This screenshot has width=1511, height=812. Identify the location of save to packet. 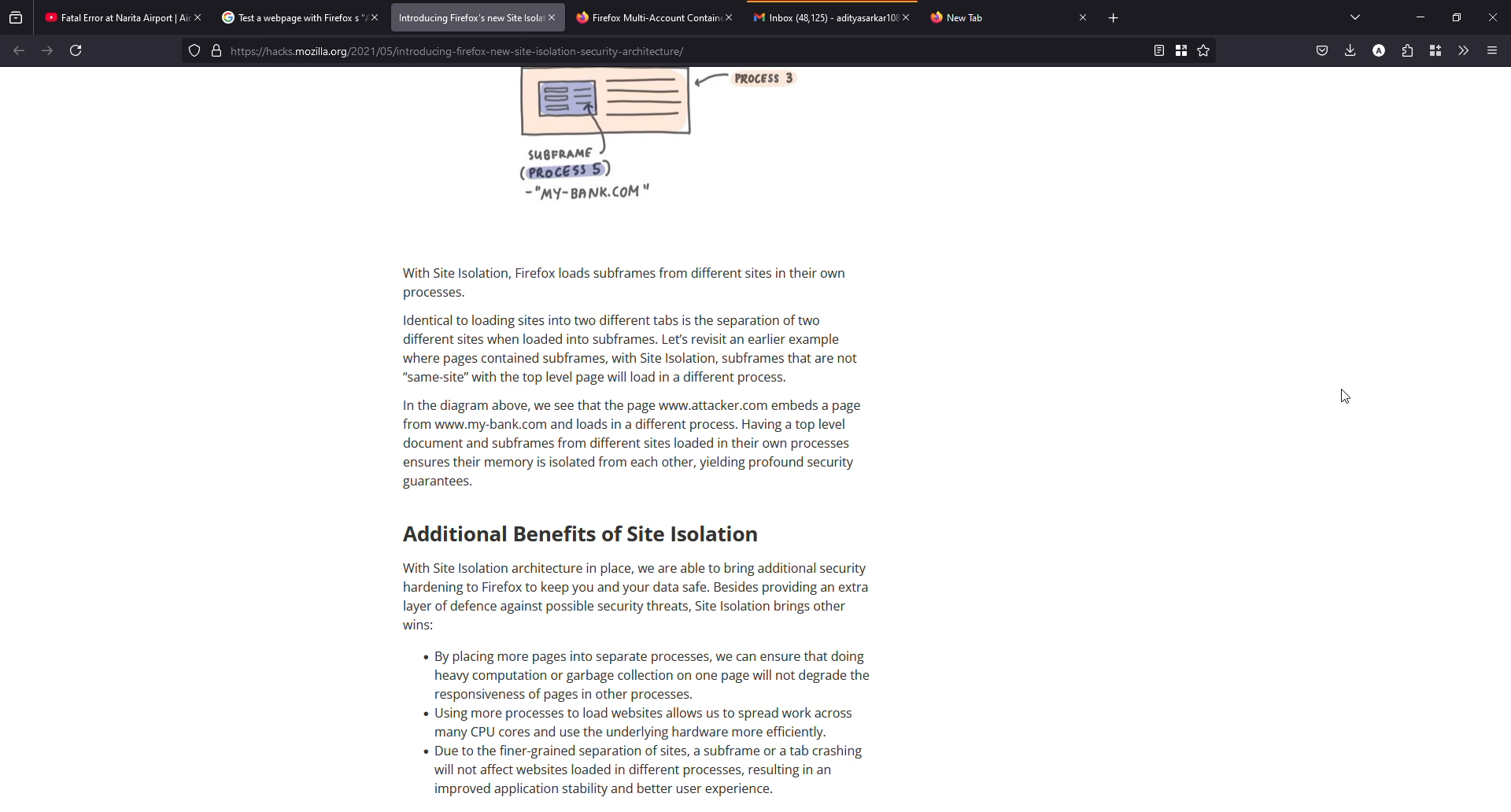
(1322, 50).